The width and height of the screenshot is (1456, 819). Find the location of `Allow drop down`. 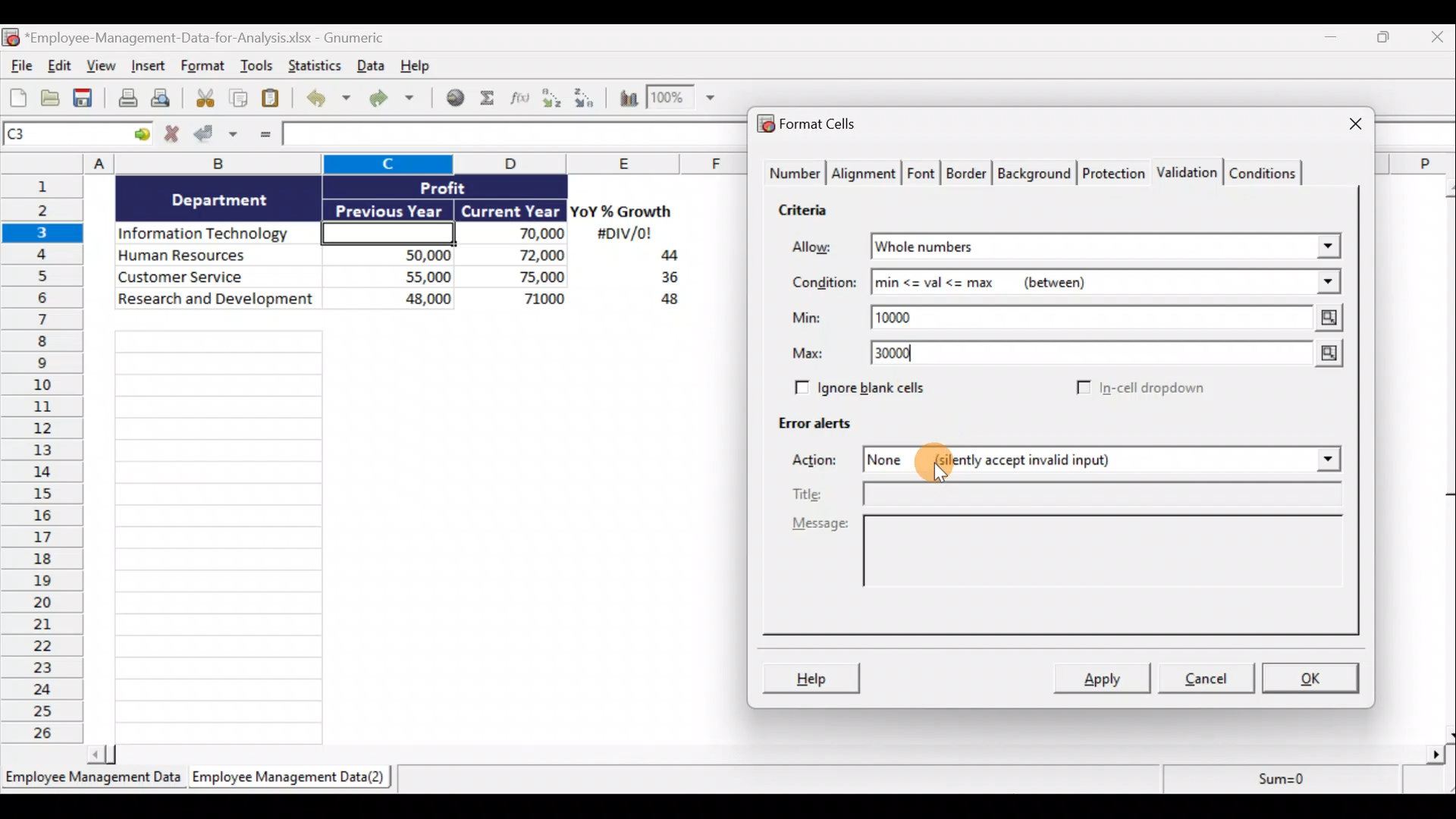

Allow drop down is located at coordinates (1325, 242).